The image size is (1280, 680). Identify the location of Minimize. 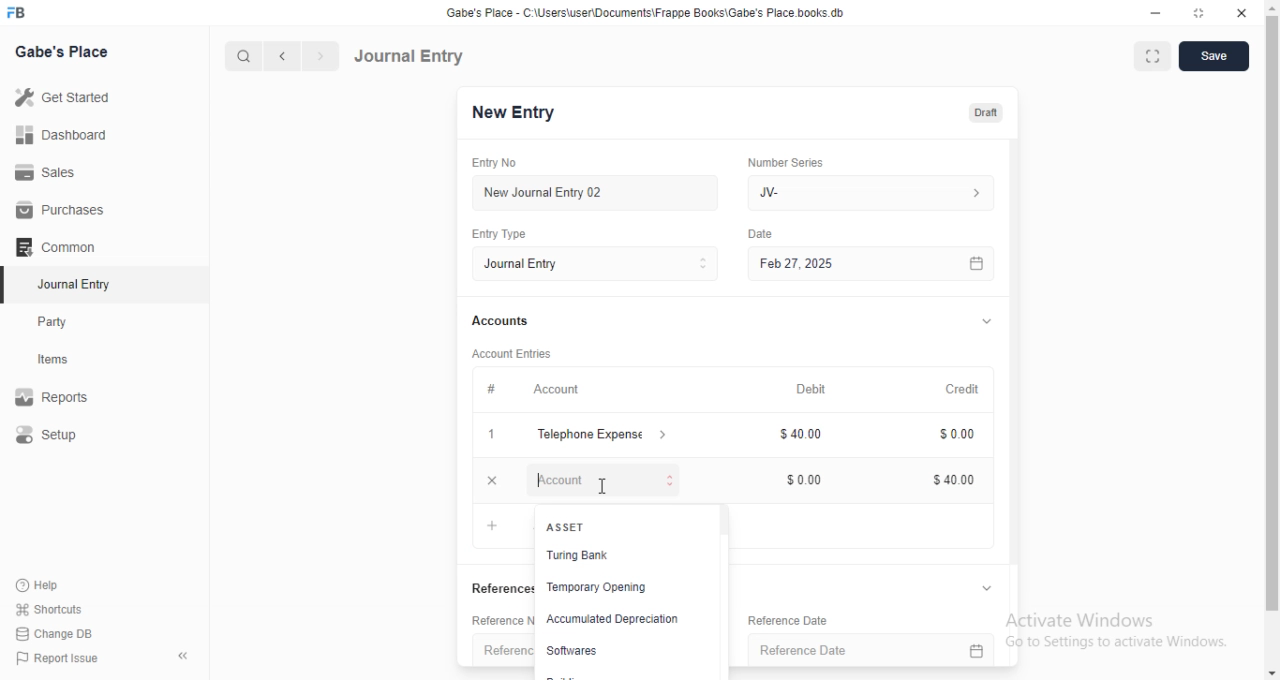
(1156, 12).